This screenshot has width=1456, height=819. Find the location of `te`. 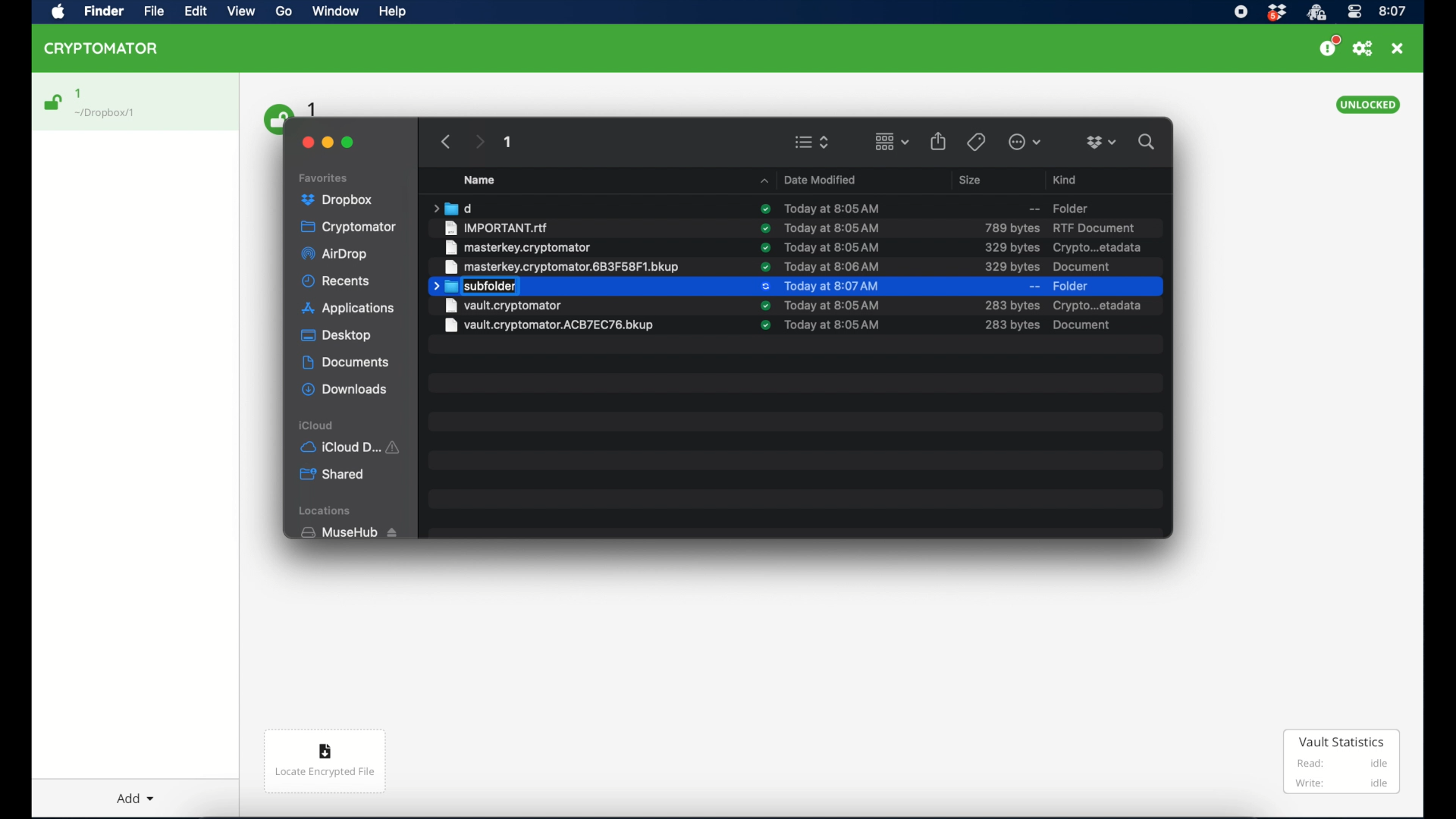

te is located at coordinates (833, 227).